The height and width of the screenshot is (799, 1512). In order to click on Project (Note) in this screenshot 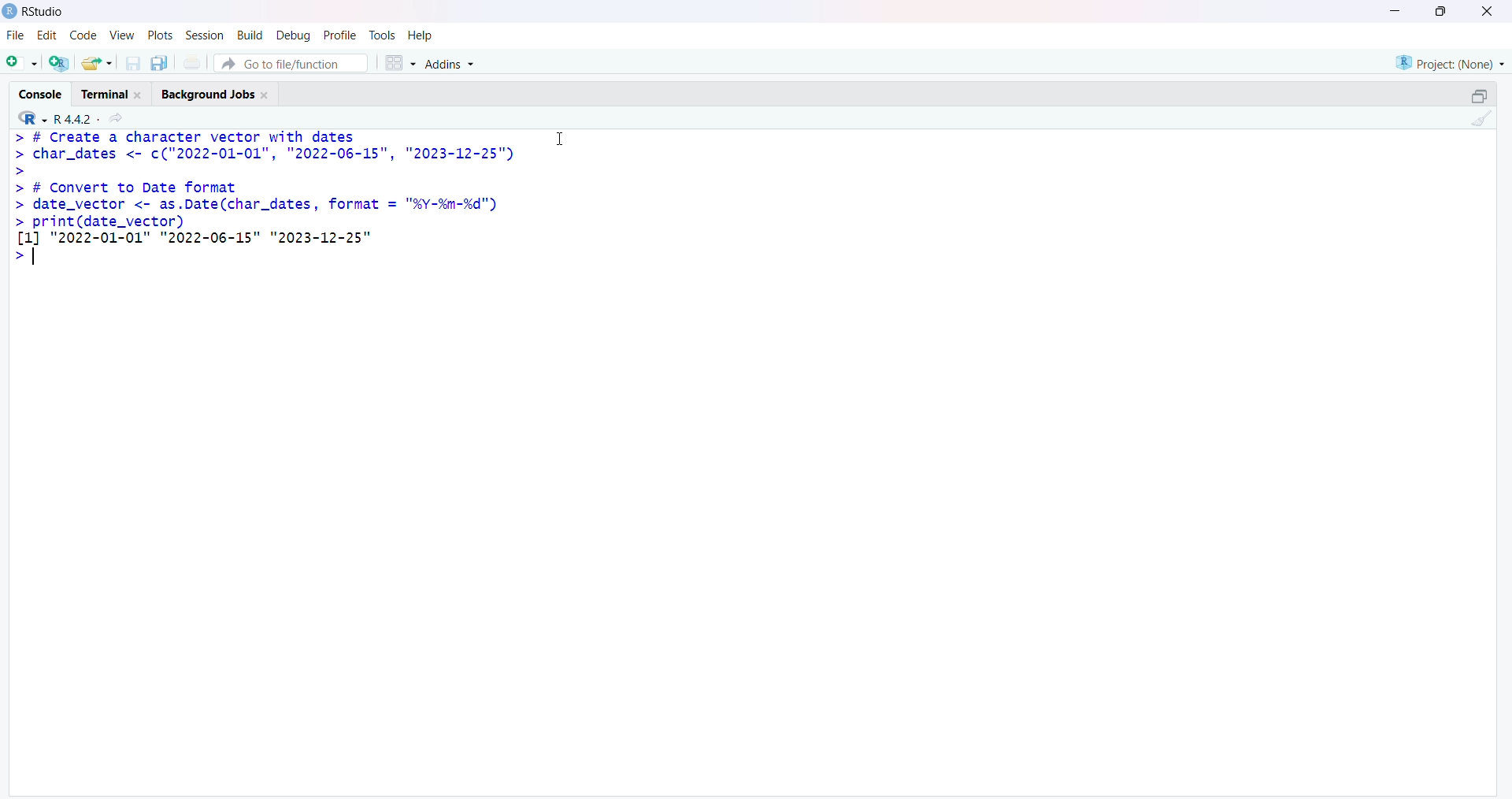, I will do `click(1447, 61)`.